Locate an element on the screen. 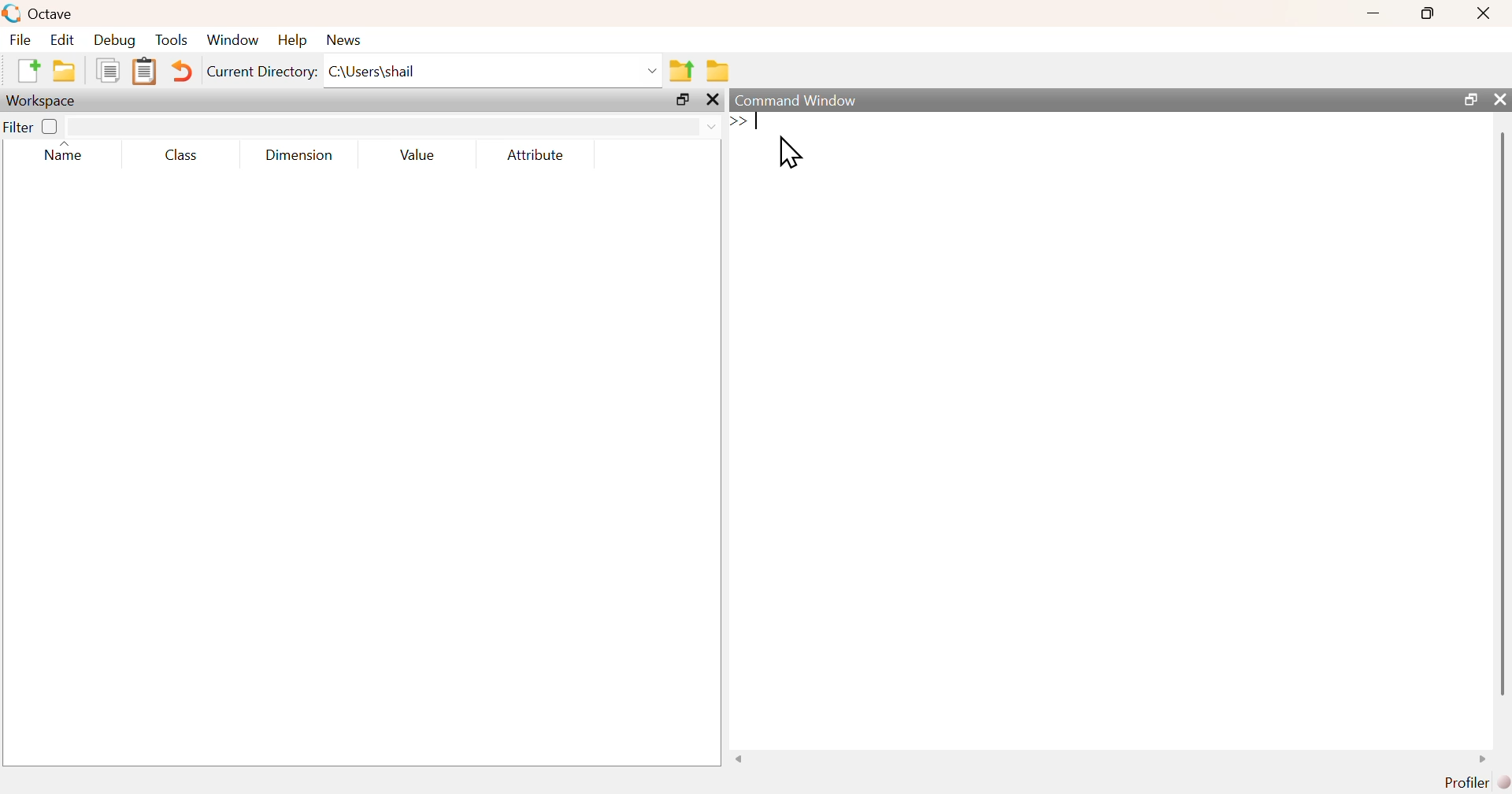 This screenshot has height=794, width=1512. Duplicate is located at coordinates (109, 70).